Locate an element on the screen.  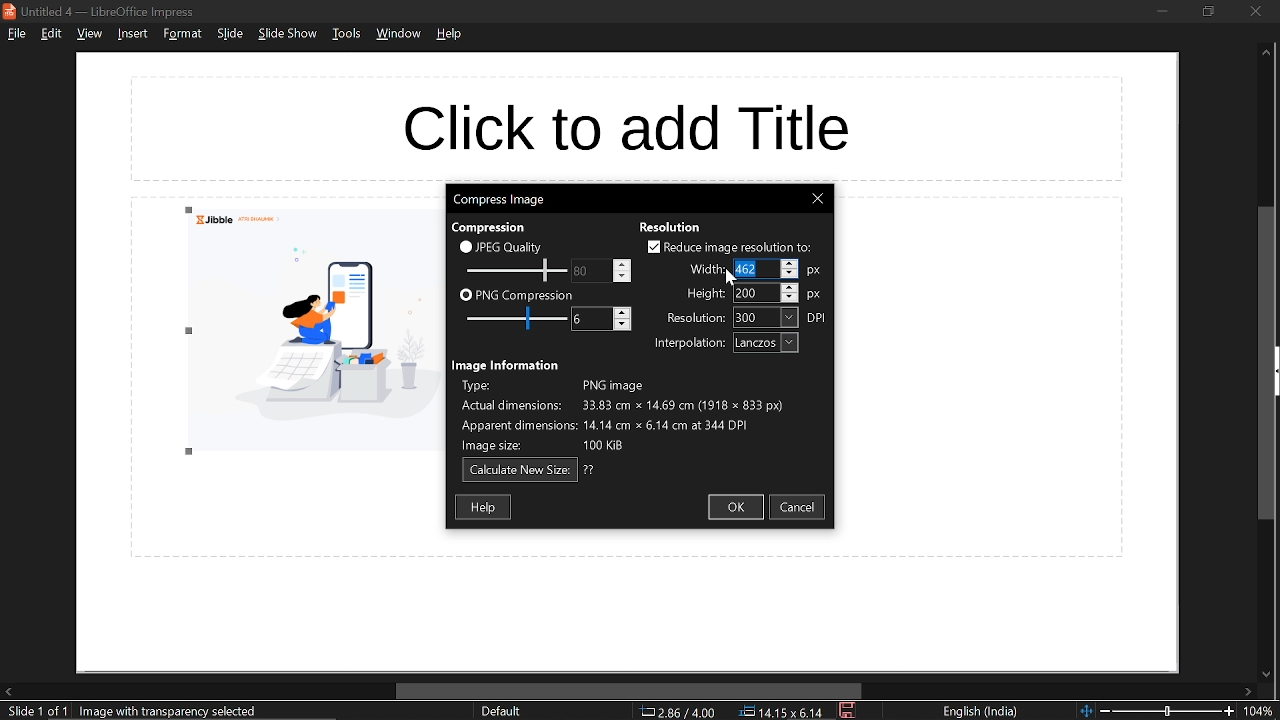
 width is located at coordinates (754, 269).